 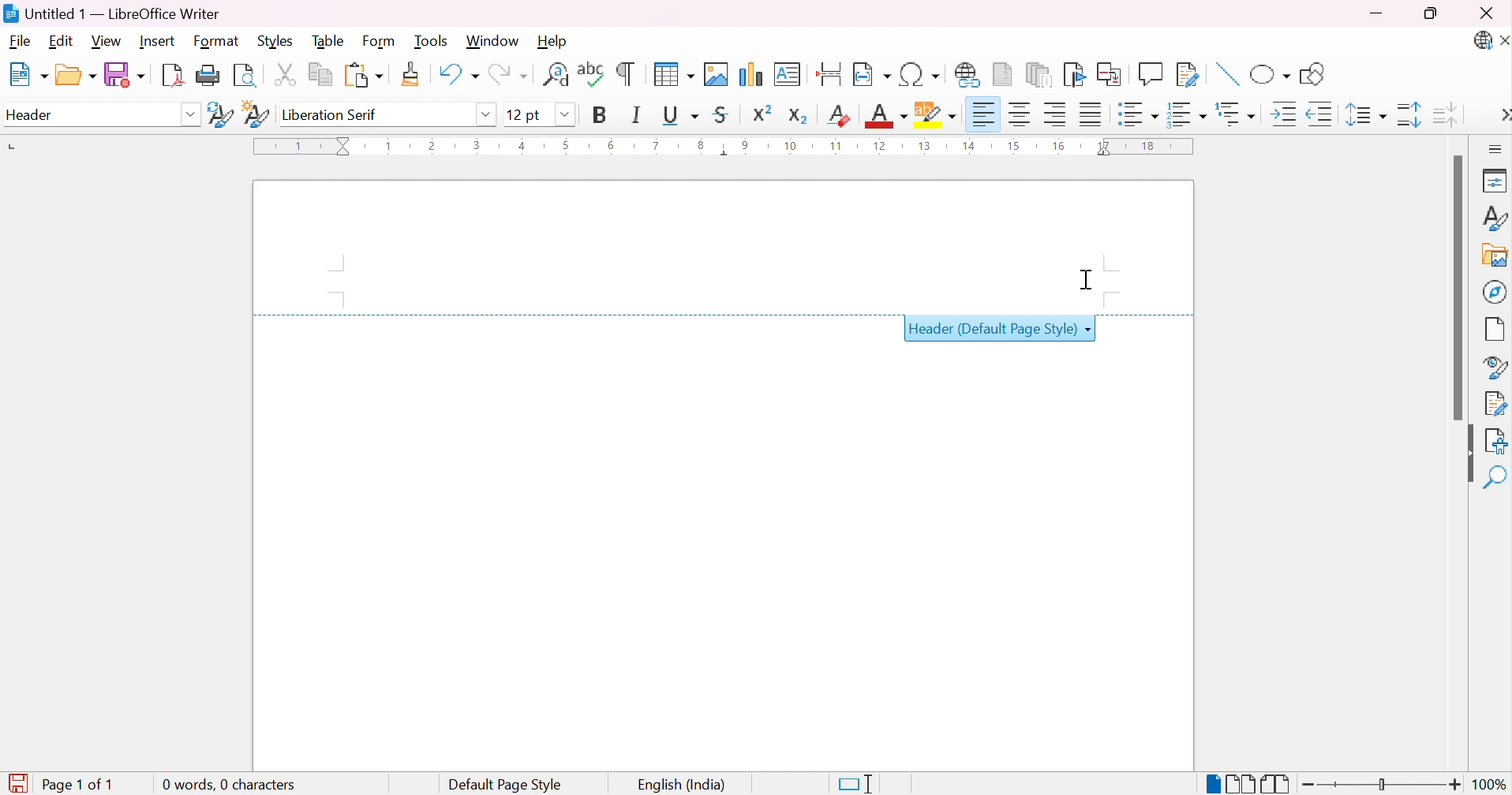 I want to click on Find, so click(x=1495, y=476).